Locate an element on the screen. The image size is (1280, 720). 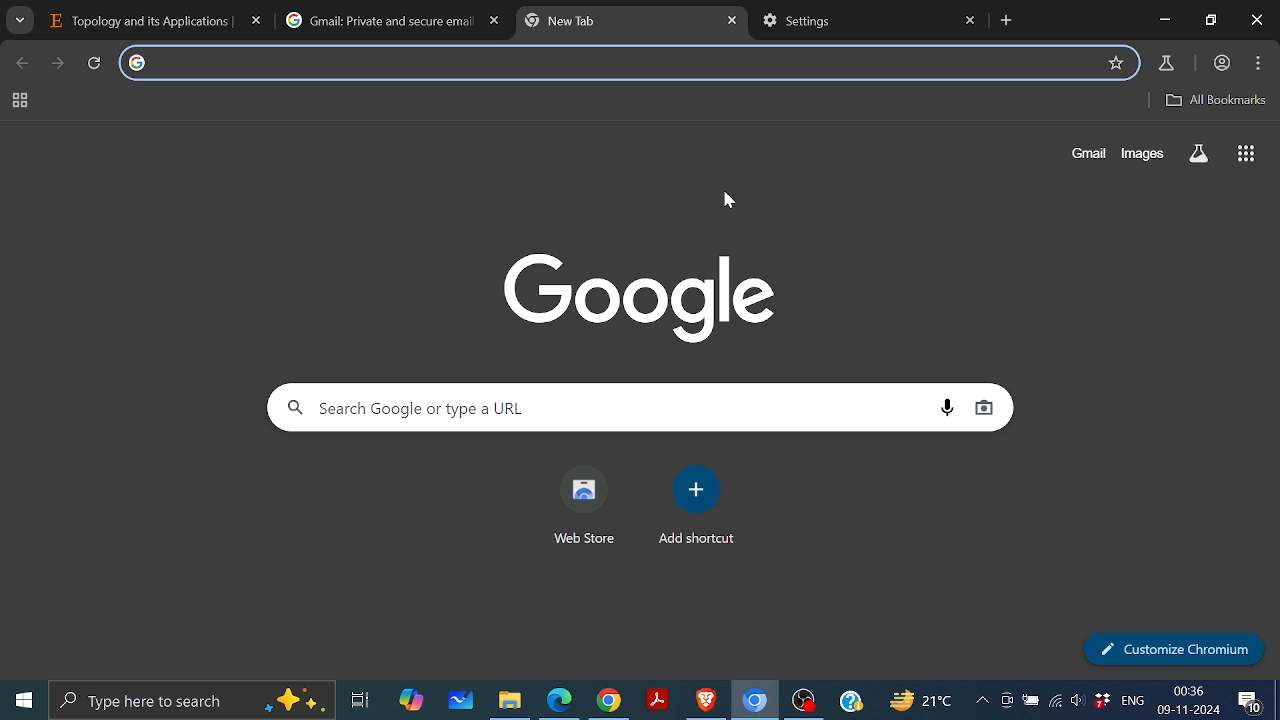
Gmail is located at coordinates (1088, 154).